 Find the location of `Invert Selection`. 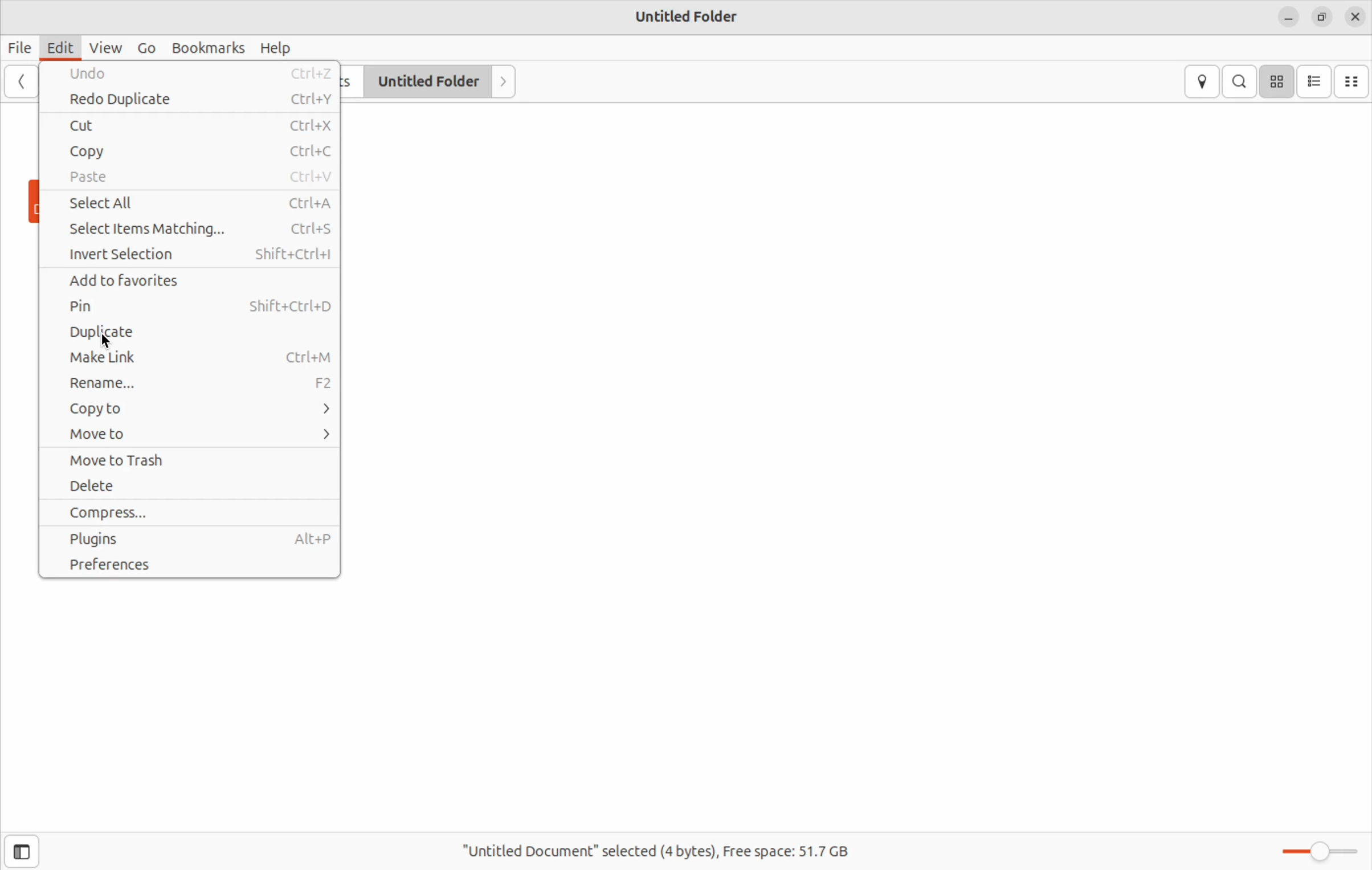

Invert Selection is located at coordinates (188, 256).